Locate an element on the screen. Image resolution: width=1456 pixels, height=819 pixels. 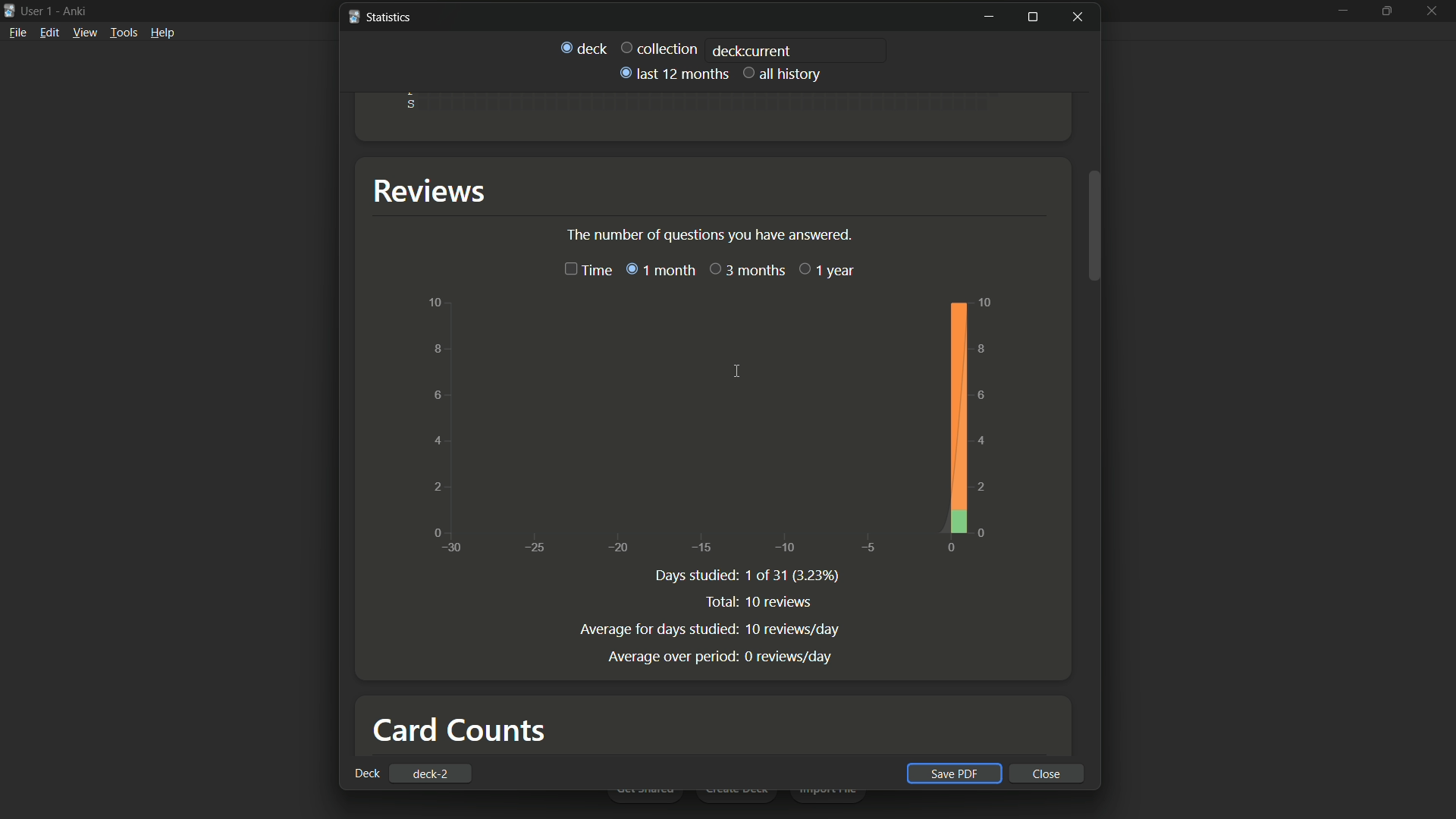
Close app is located at coordinates (1434, 21).